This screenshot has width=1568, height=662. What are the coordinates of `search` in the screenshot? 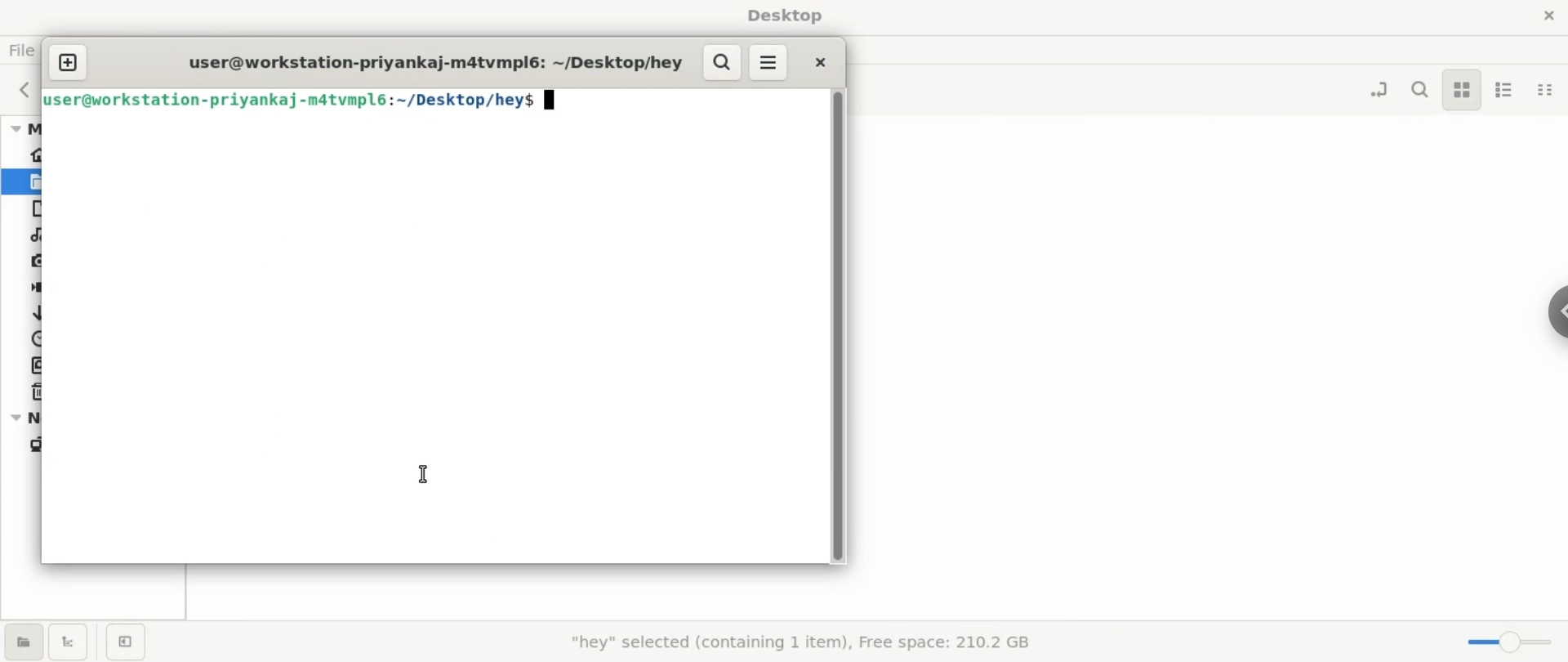 It's located at (1419, 90).